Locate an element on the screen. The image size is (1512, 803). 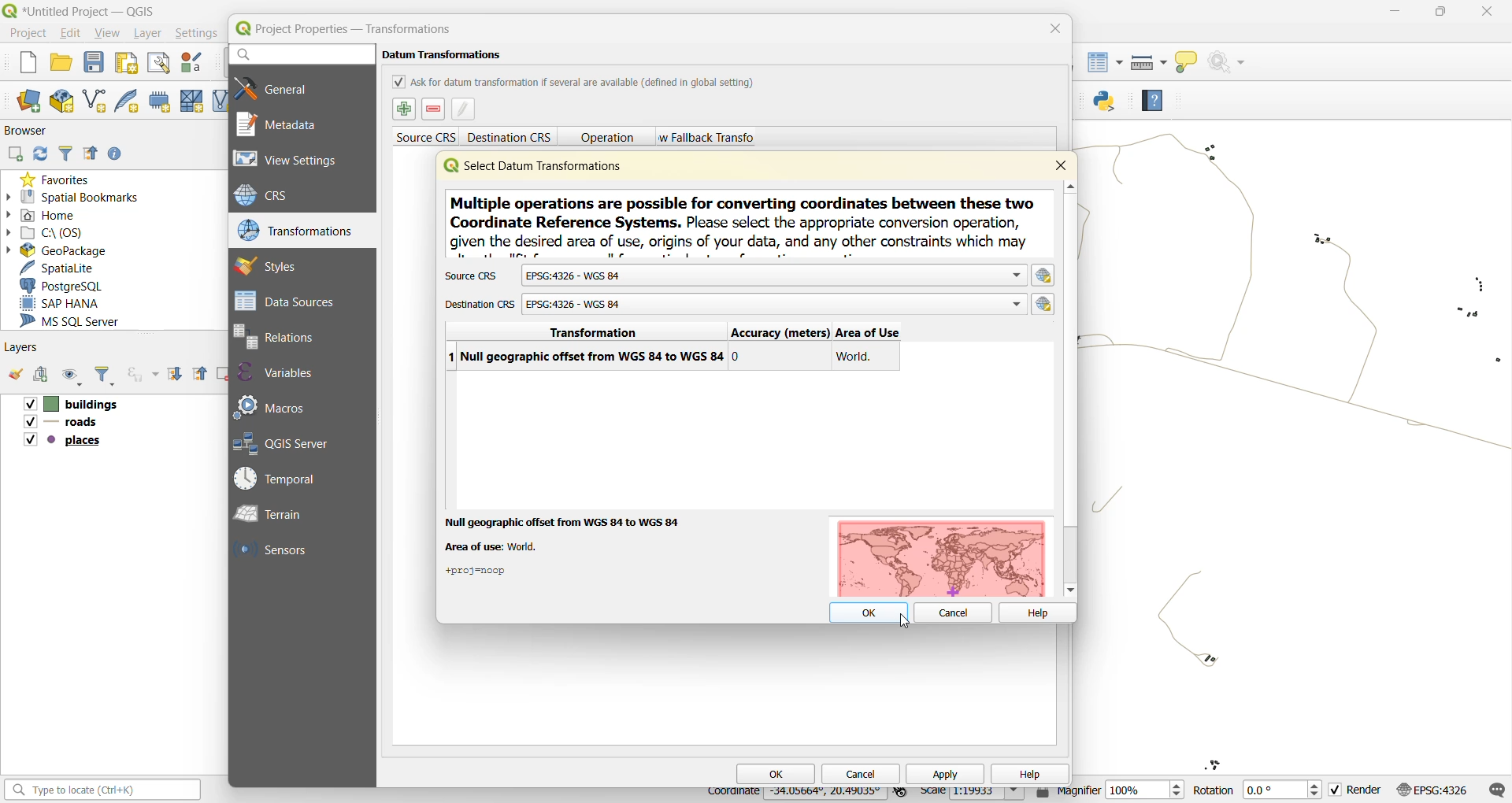
variables is located at coordinates (288, 373).